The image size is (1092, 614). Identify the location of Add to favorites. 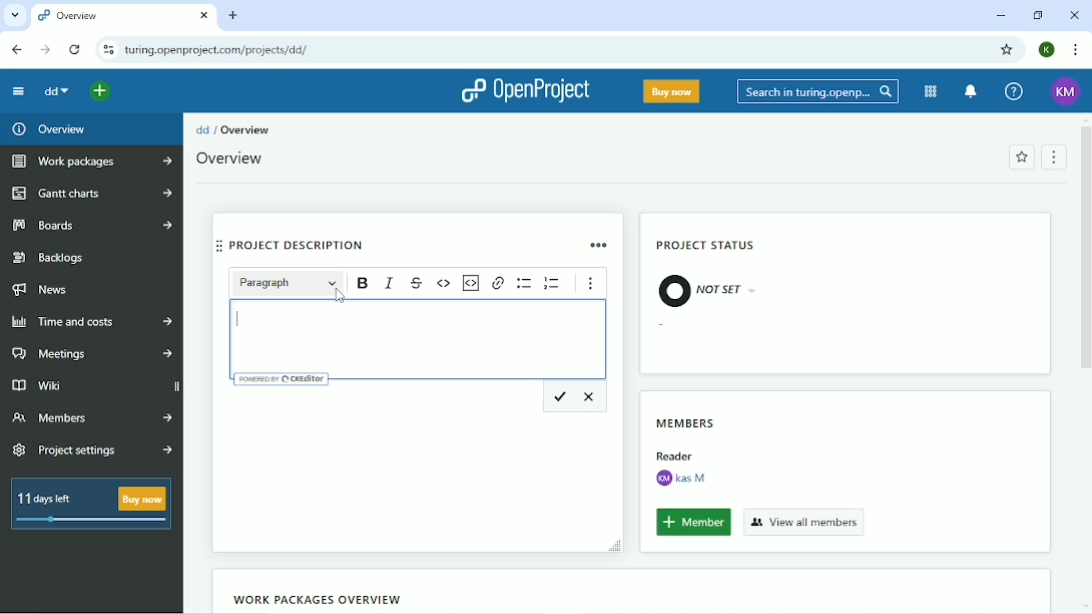
(1021, 157).